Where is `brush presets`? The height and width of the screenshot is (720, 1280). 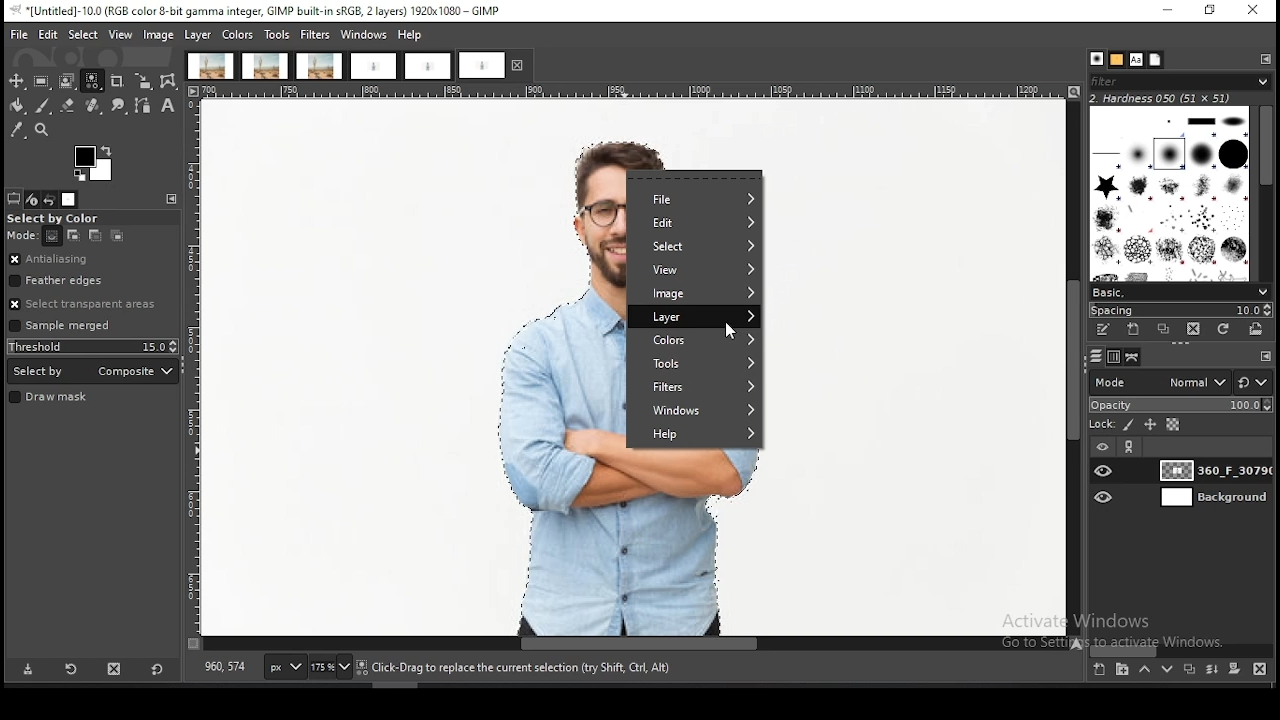 brush presets is located at coordinates (1179, 293).